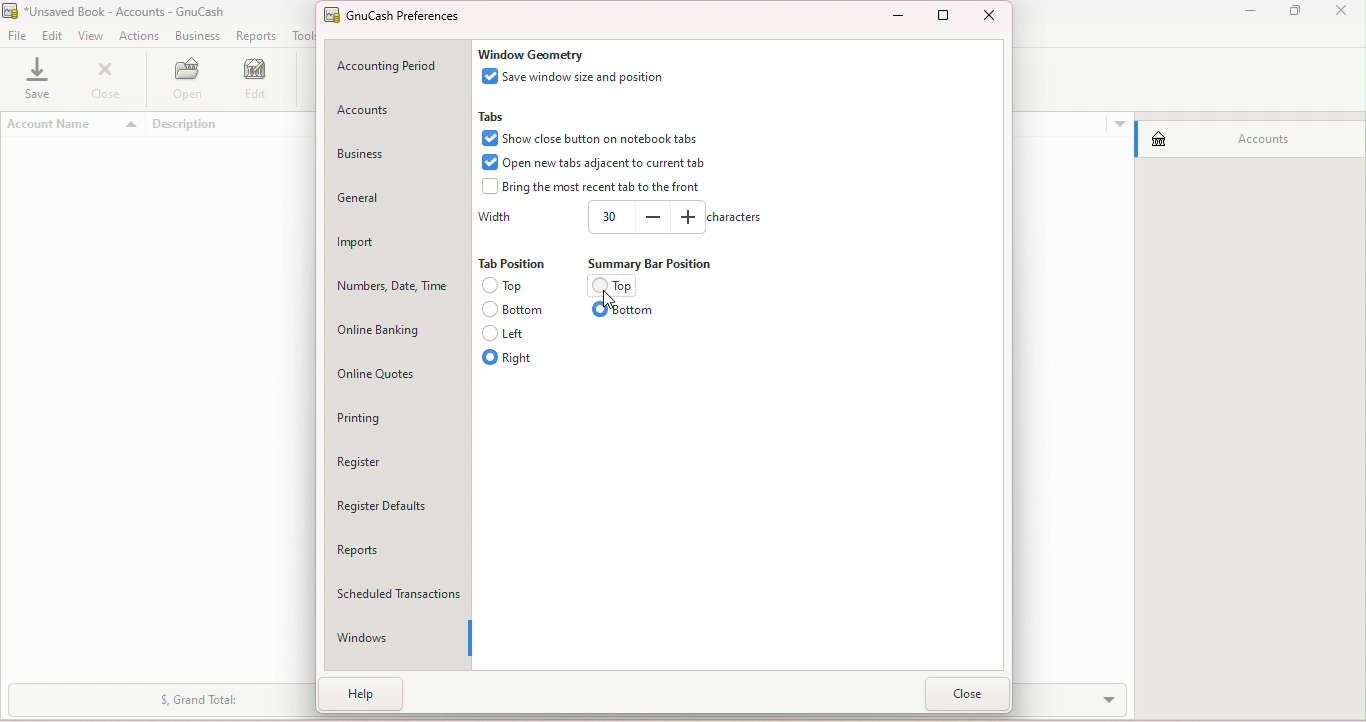 Image resolution: width=1366 pixels, height=722 pixels. What do you see at coordinates (661, 263) in the screenshot?
I see `Summary position` at bounding box center [661, 263].